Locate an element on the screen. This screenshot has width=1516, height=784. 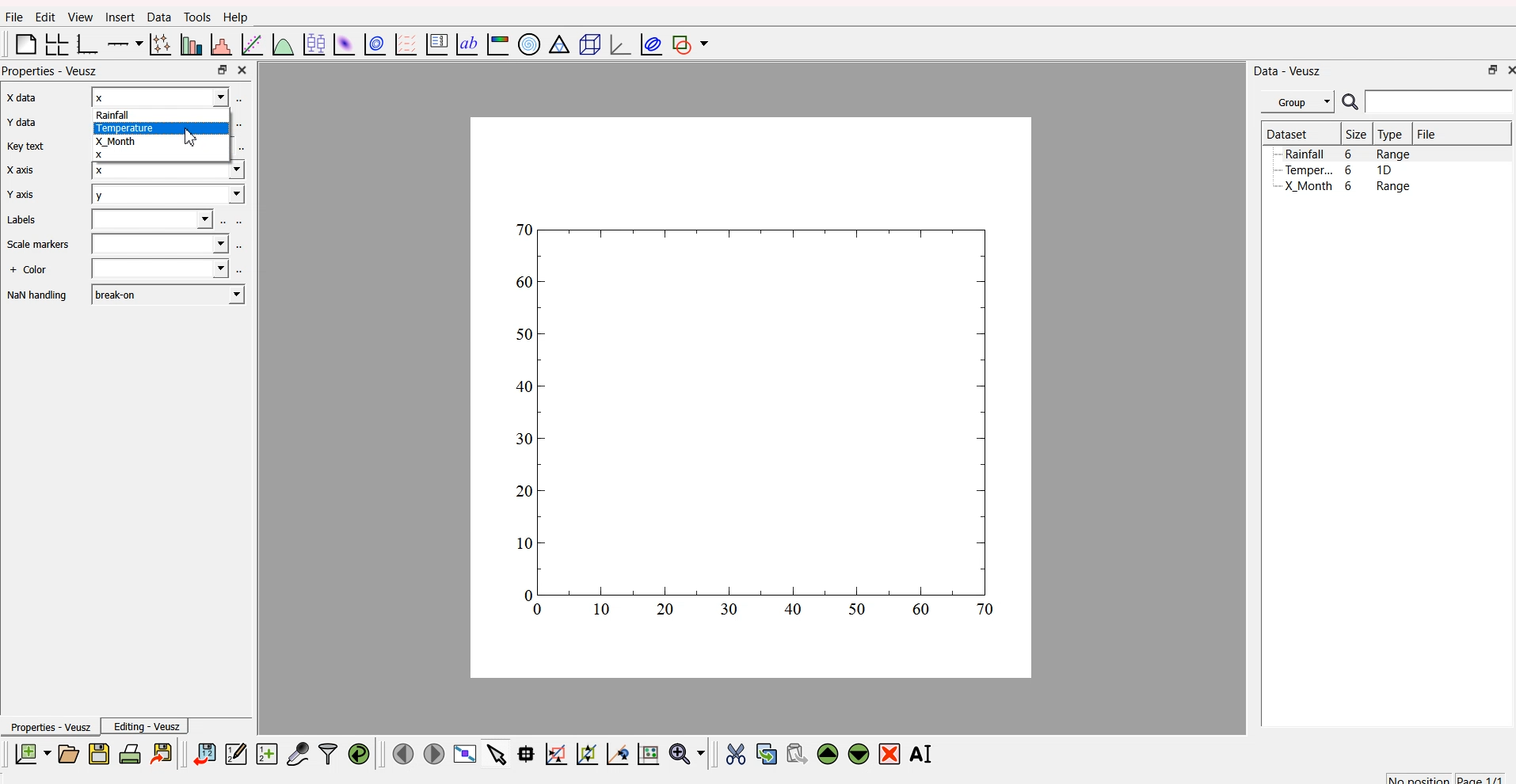
copy the widget is located at coordinates (766, 752).